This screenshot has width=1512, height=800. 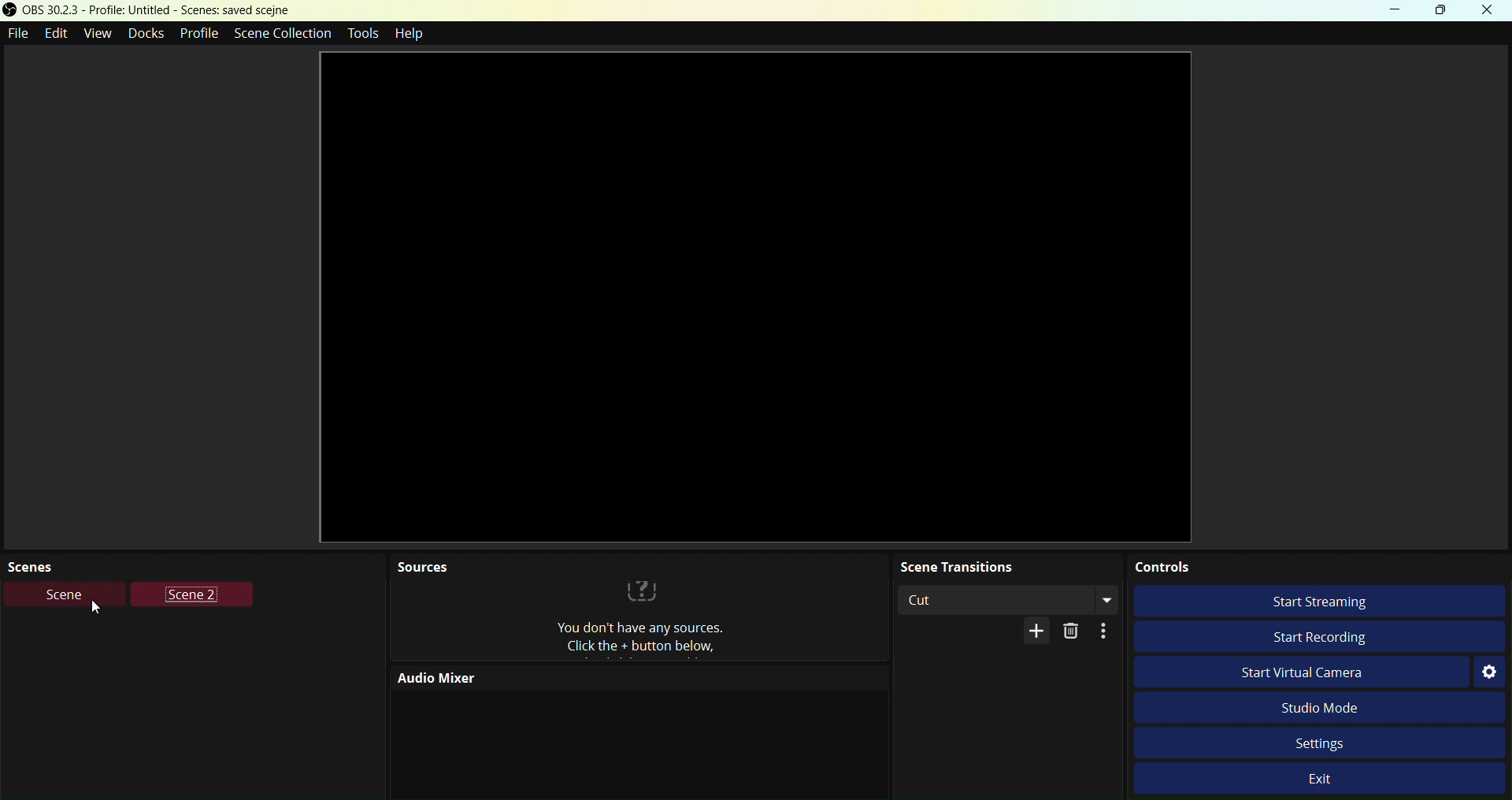 I want to click on Start streaming, so click(x=1326, y=602).